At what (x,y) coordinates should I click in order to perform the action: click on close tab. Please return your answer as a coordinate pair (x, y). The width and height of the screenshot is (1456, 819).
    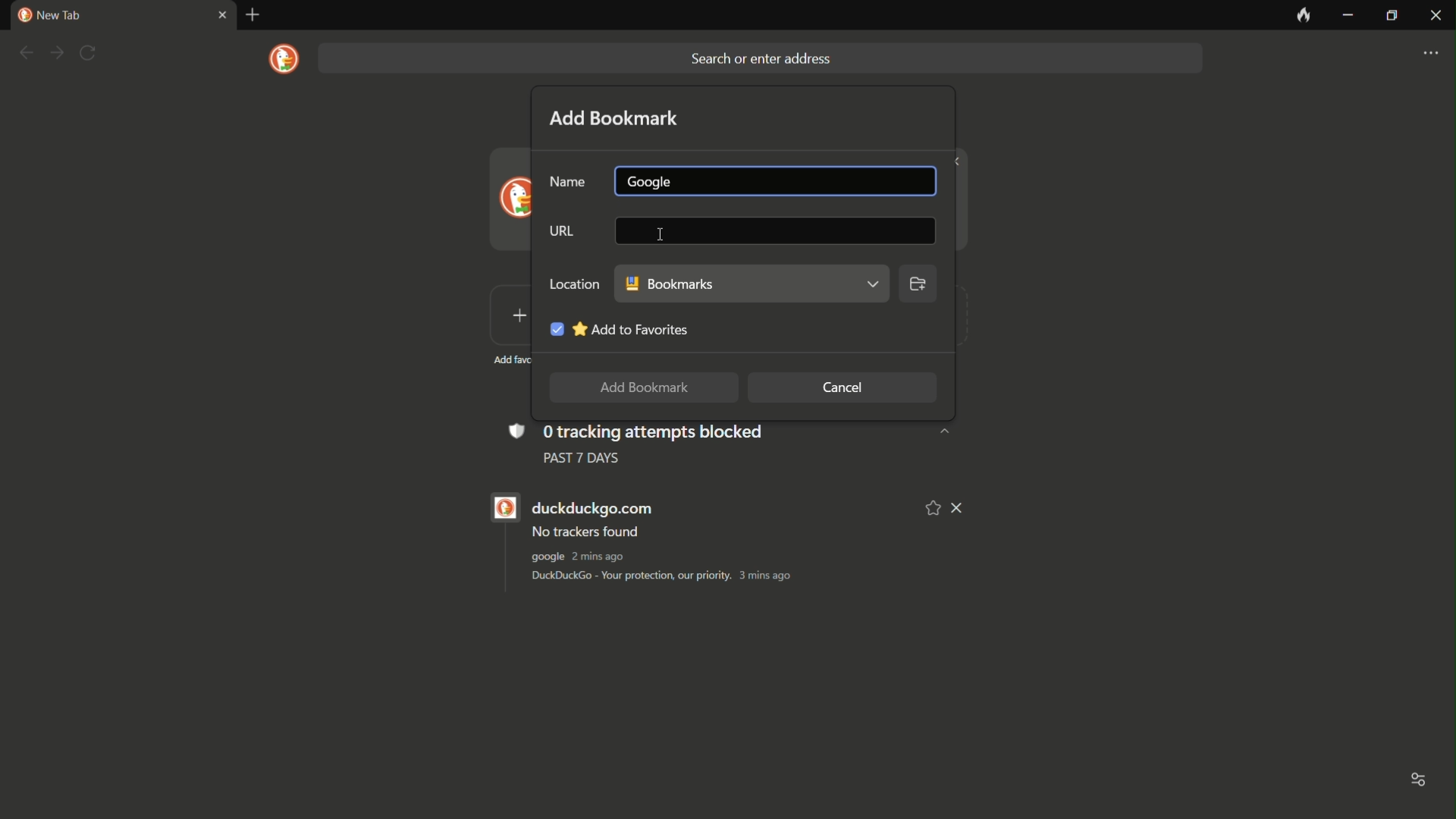
    Looking at the image, I should click on (221, 16).